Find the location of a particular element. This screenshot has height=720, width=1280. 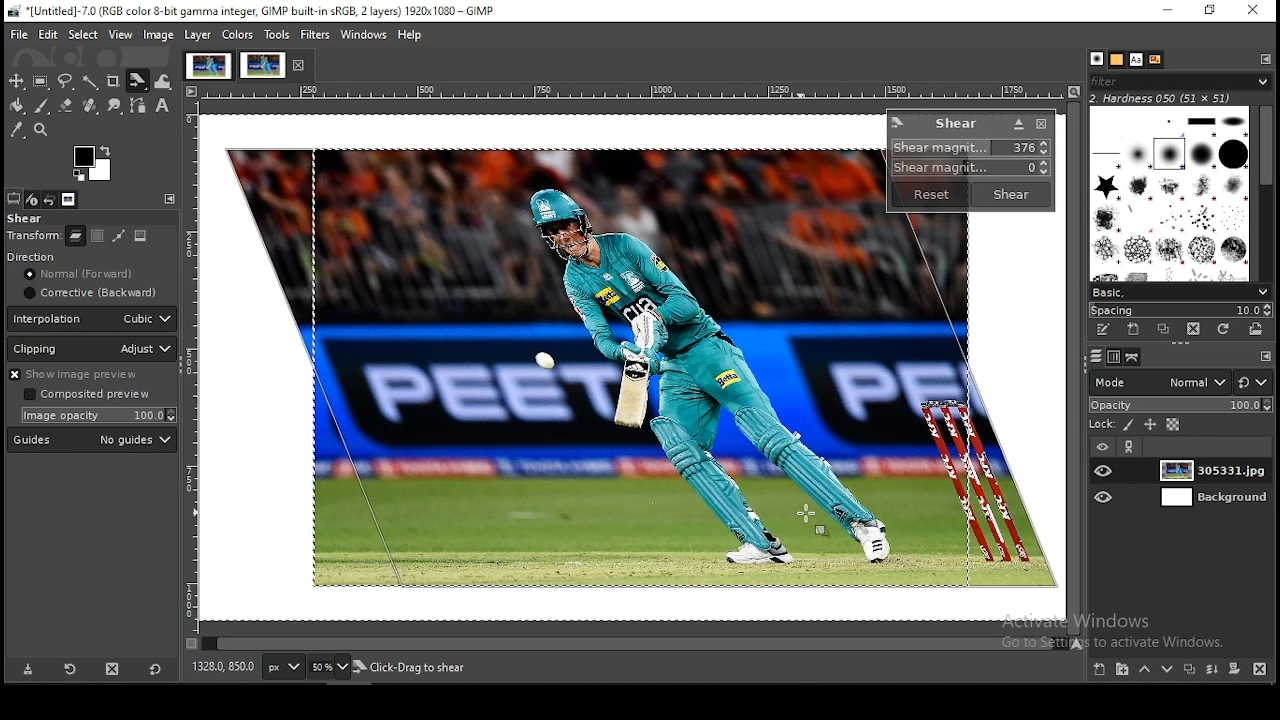

scroll bar is located at coordinates (1265, 191).